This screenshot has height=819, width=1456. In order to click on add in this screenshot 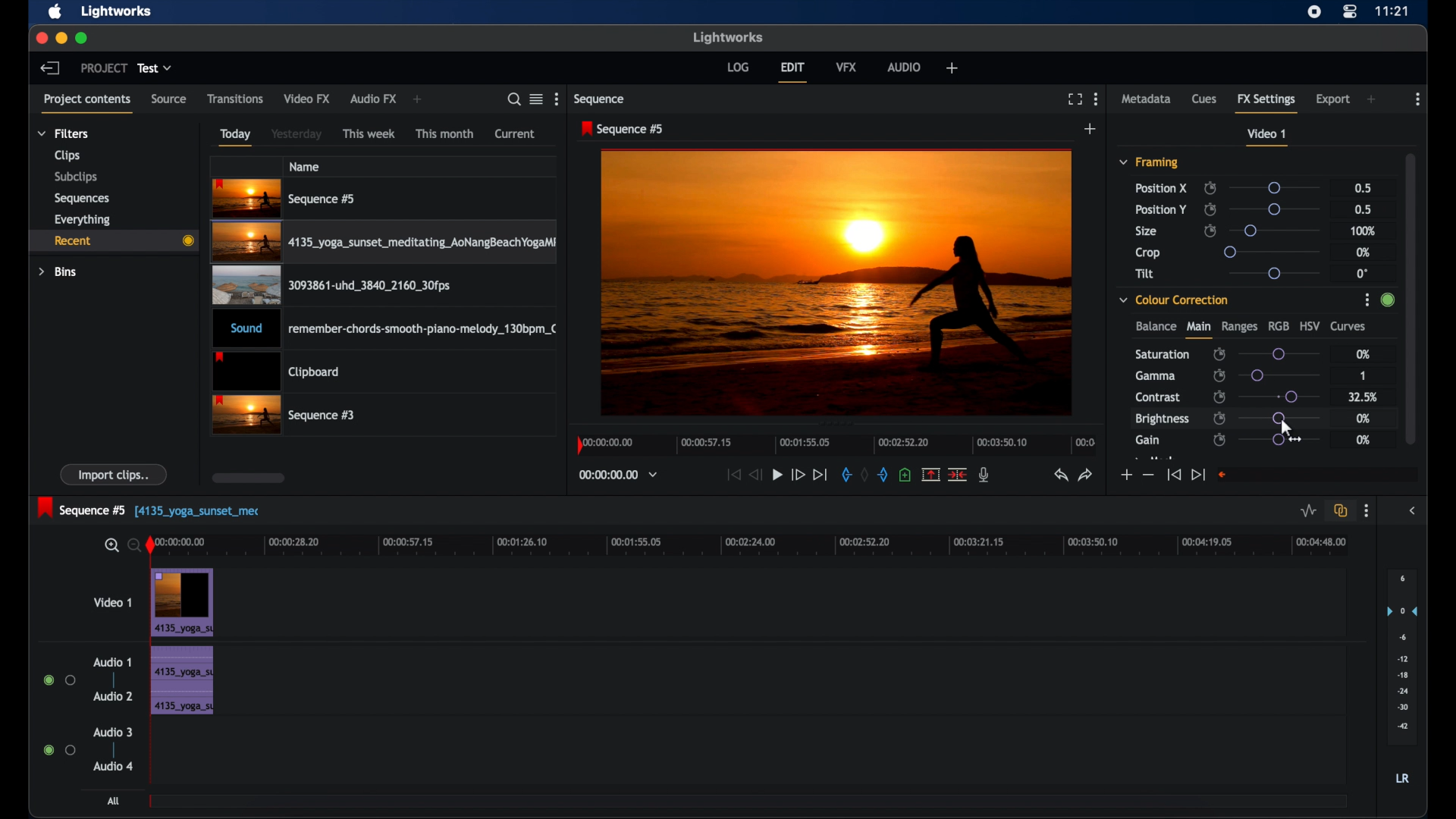, I will do `click(417, 99)`.